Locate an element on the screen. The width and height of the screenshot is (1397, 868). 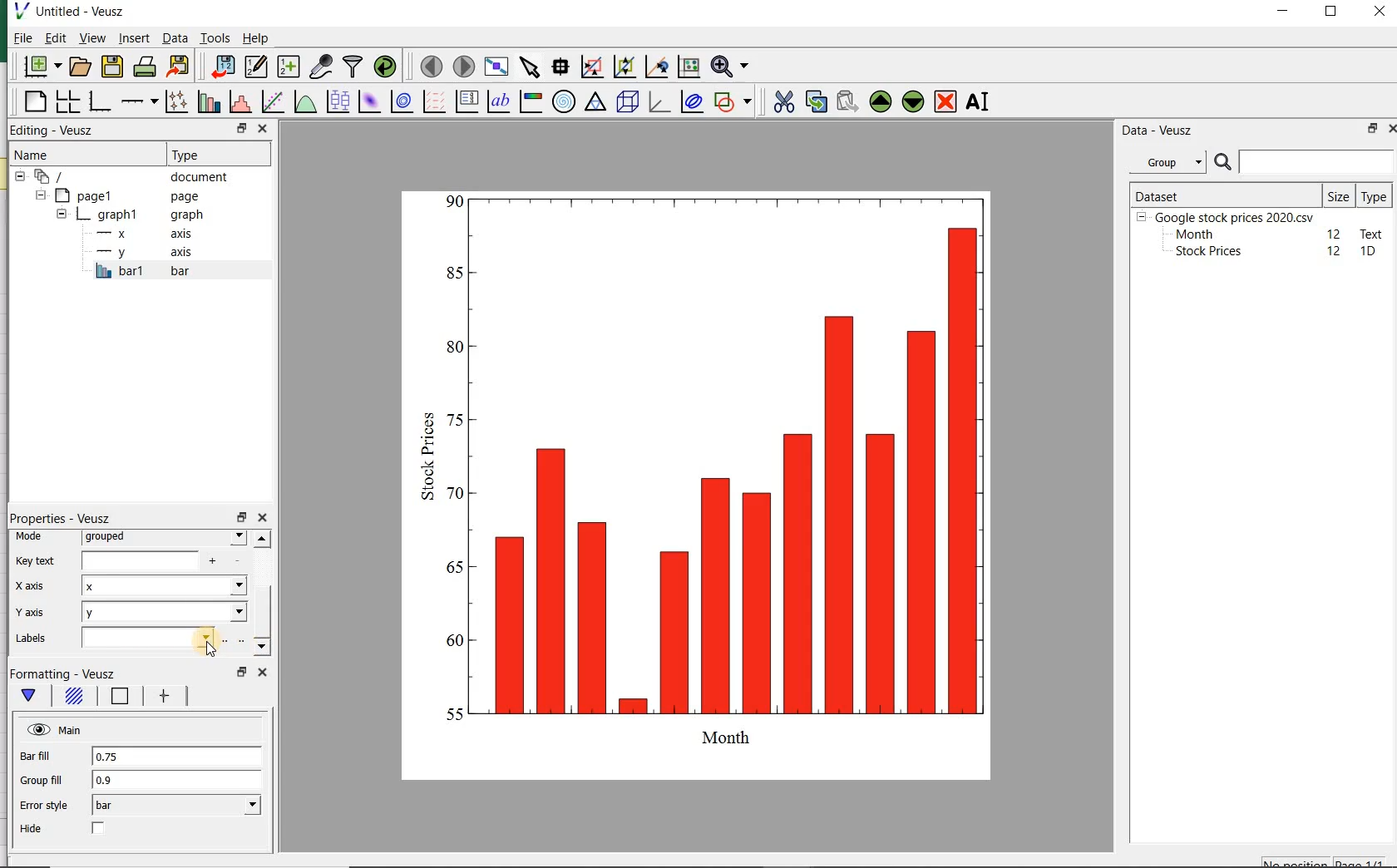
blank page is located at coordinates (34, 104).